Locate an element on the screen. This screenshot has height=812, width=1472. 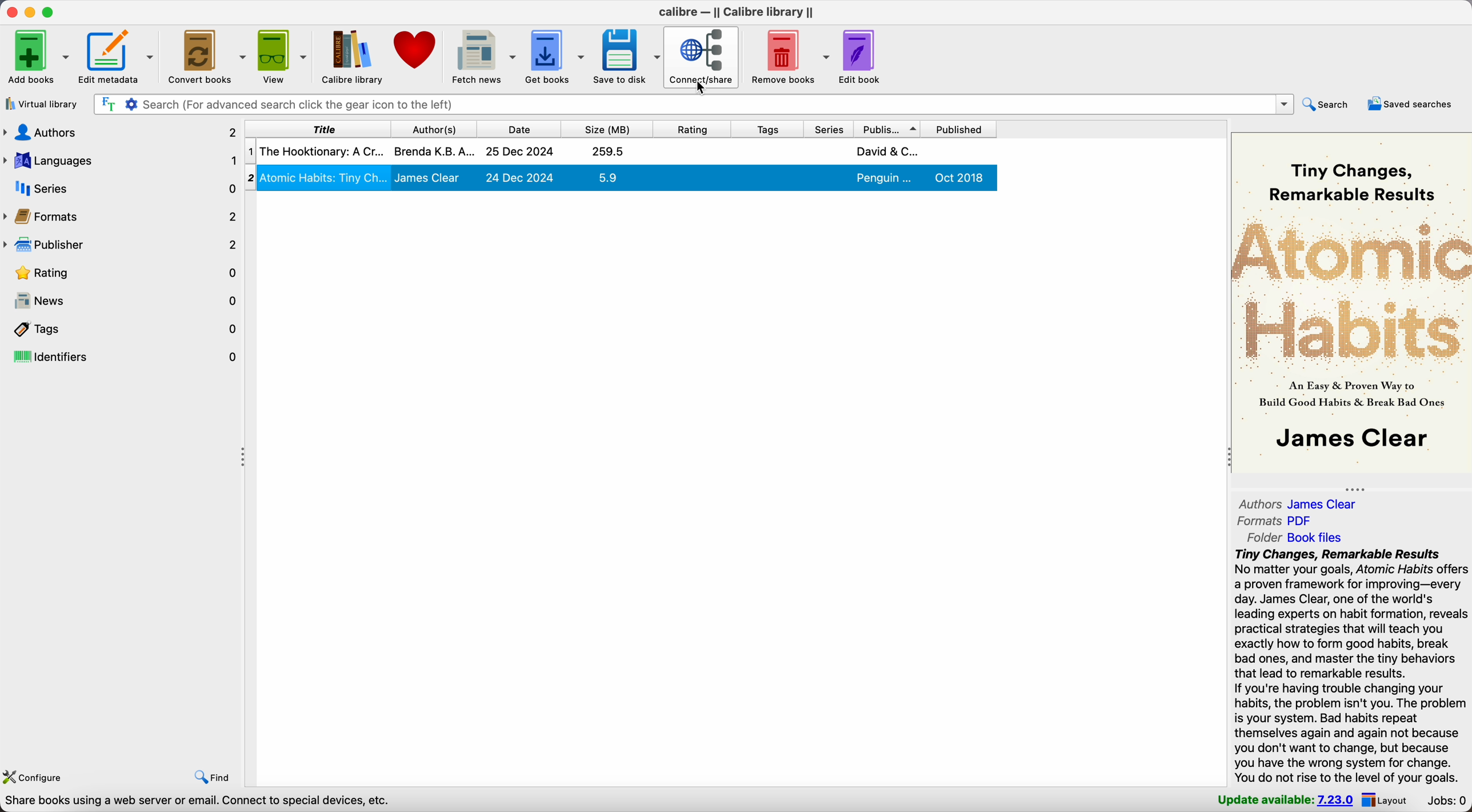
publisher is located at coordinates (121, 245).